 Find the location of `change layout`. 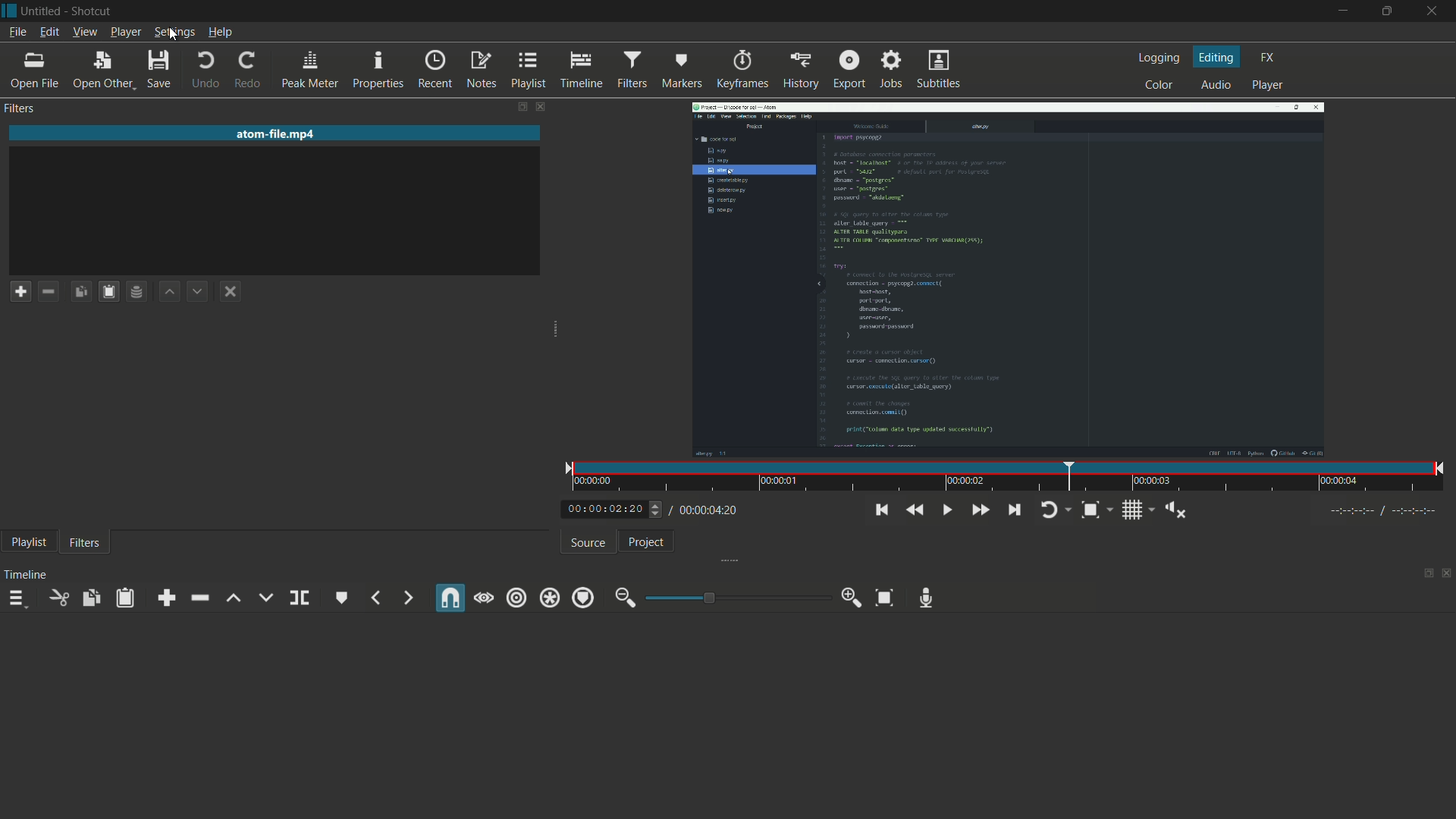

change layout is located at coordinates (1422, 574).